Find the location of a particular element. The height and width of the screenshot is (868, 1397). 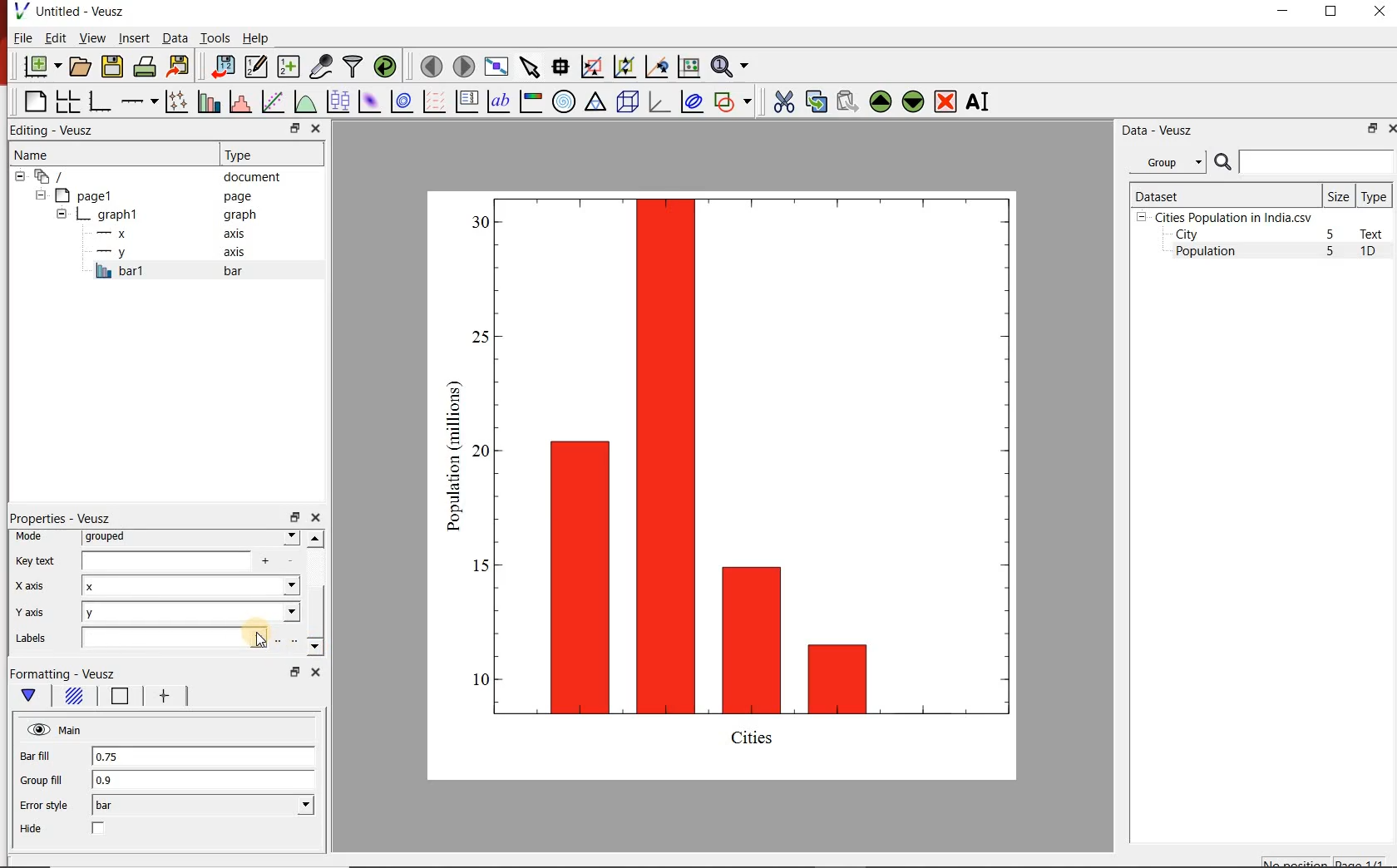

Data is located at coordinates (175, 39).